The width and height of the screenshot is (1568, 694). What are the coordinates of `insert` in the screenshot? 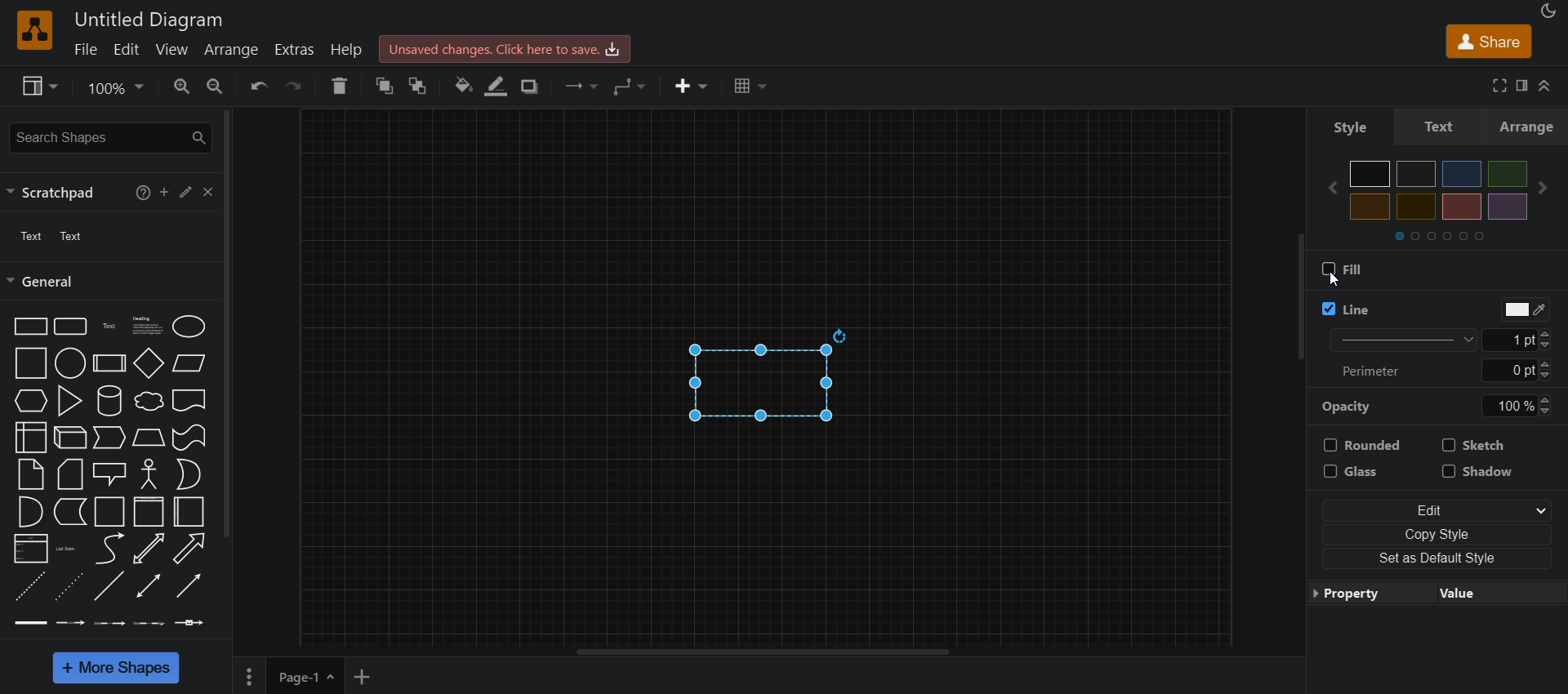 It's located at (689, 87).